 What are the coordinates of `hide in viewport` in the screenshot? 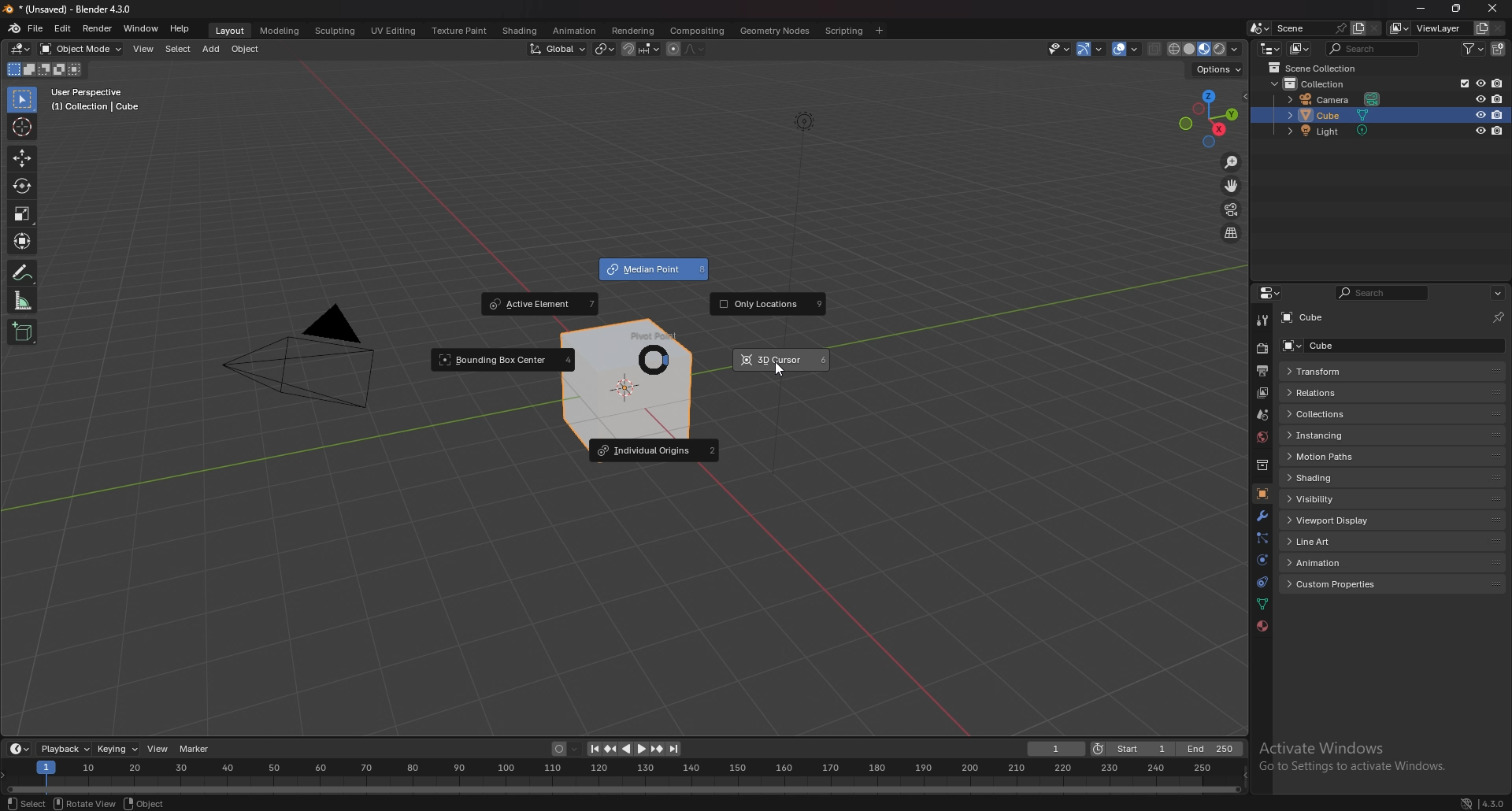 It's located at (1479, 83).